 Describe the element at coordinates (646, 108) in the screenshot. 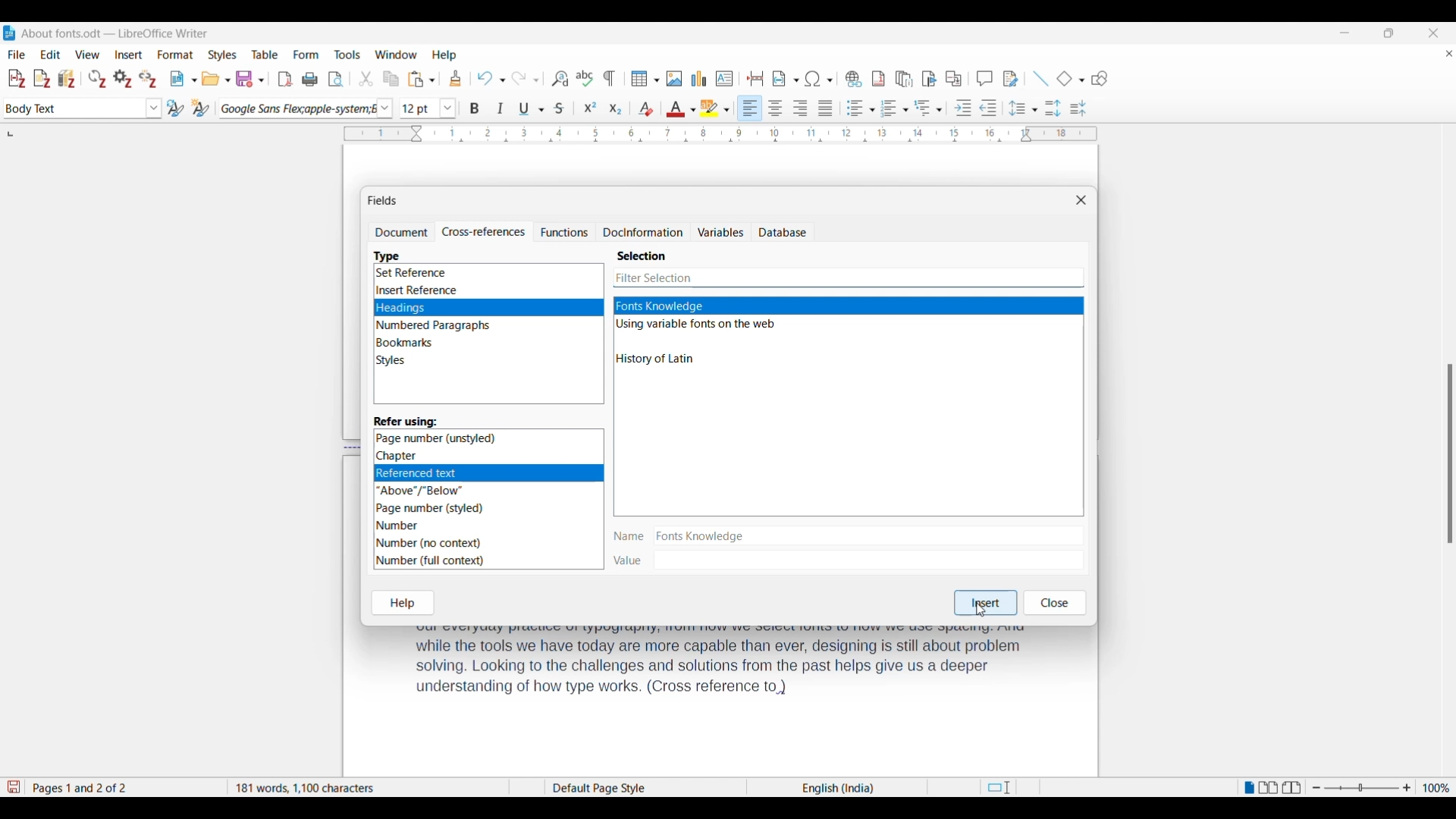

I see `Clear direct formatting ` at that location.